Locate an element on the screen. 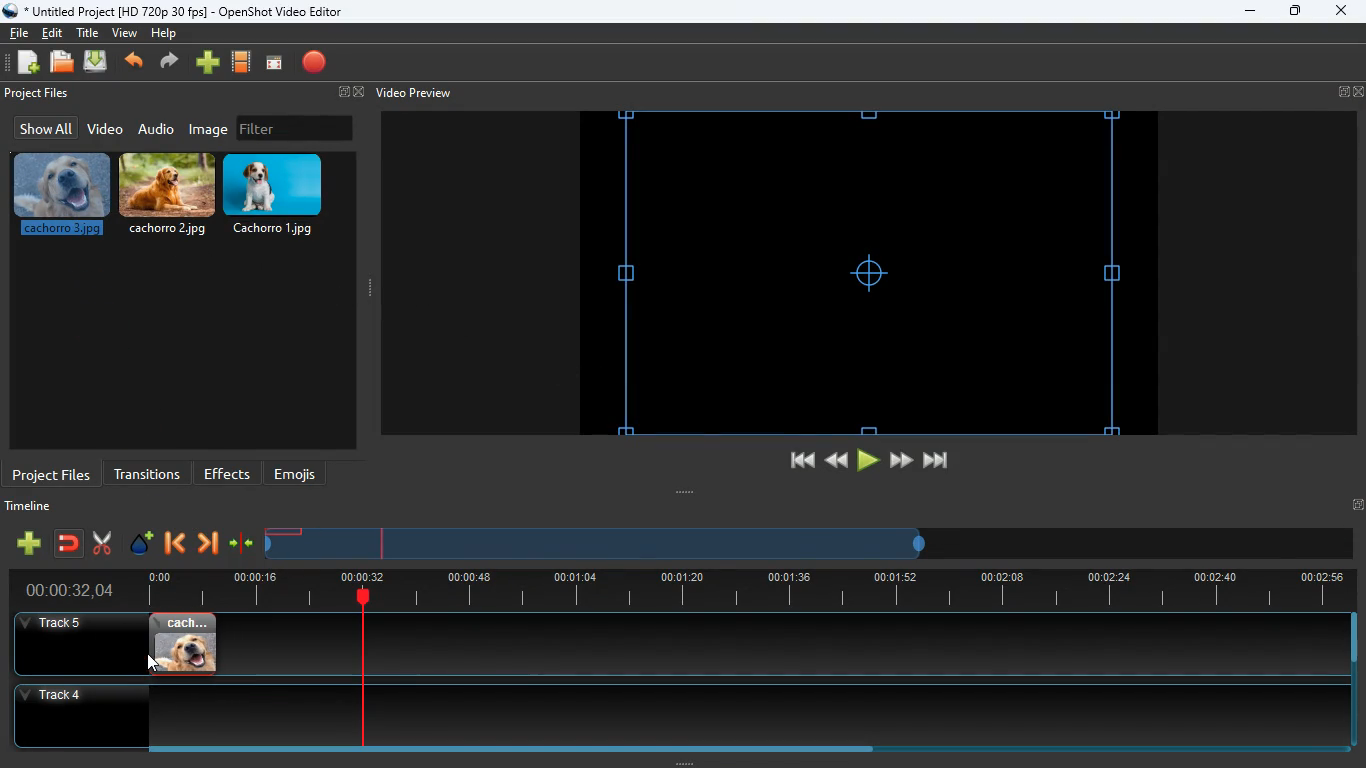 This screenshot has height=768, width=1366. transitions is located at coordinates (147, 472).